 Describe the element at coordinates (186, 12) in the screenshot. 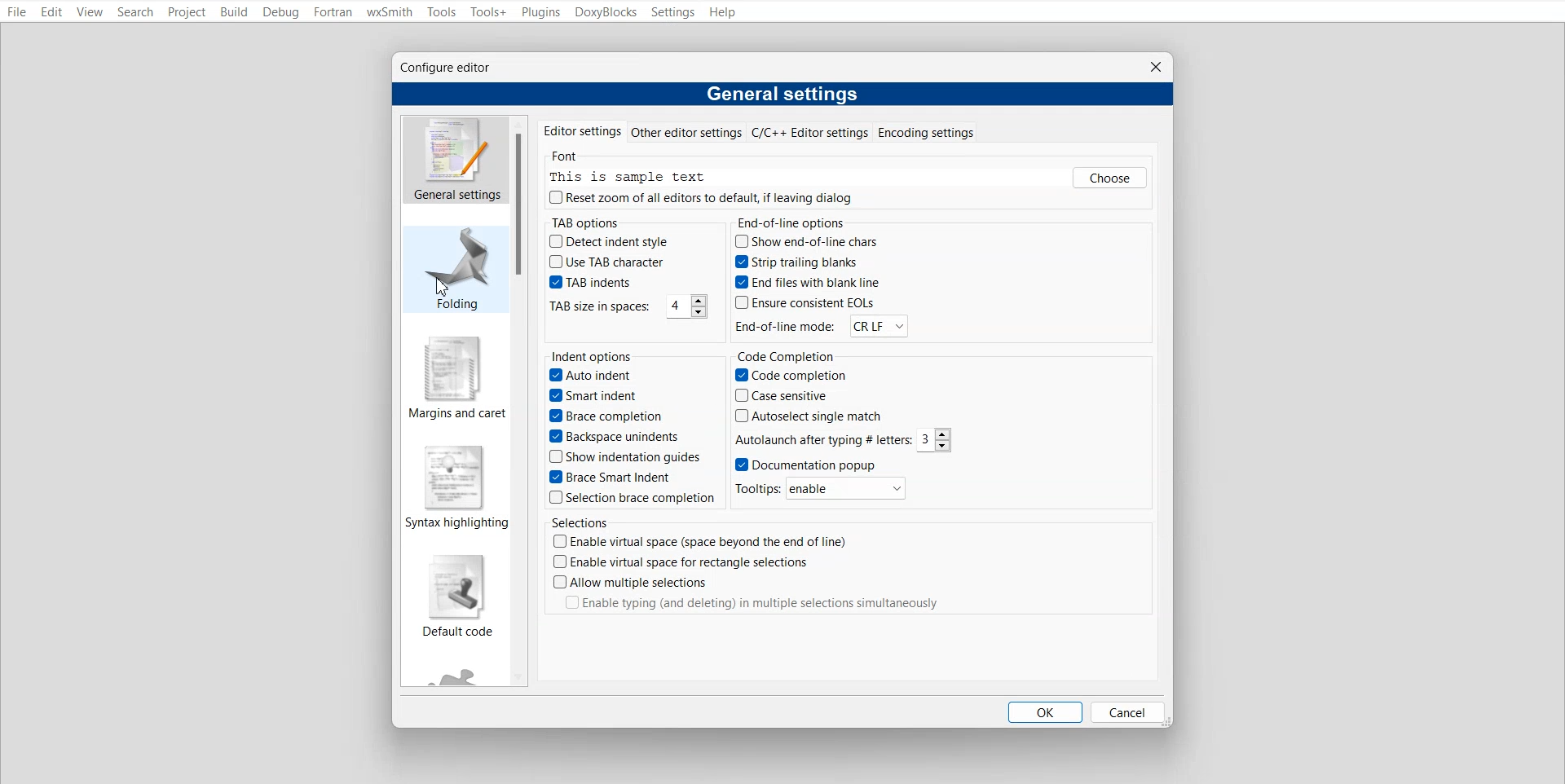

I see `Project` at that location.